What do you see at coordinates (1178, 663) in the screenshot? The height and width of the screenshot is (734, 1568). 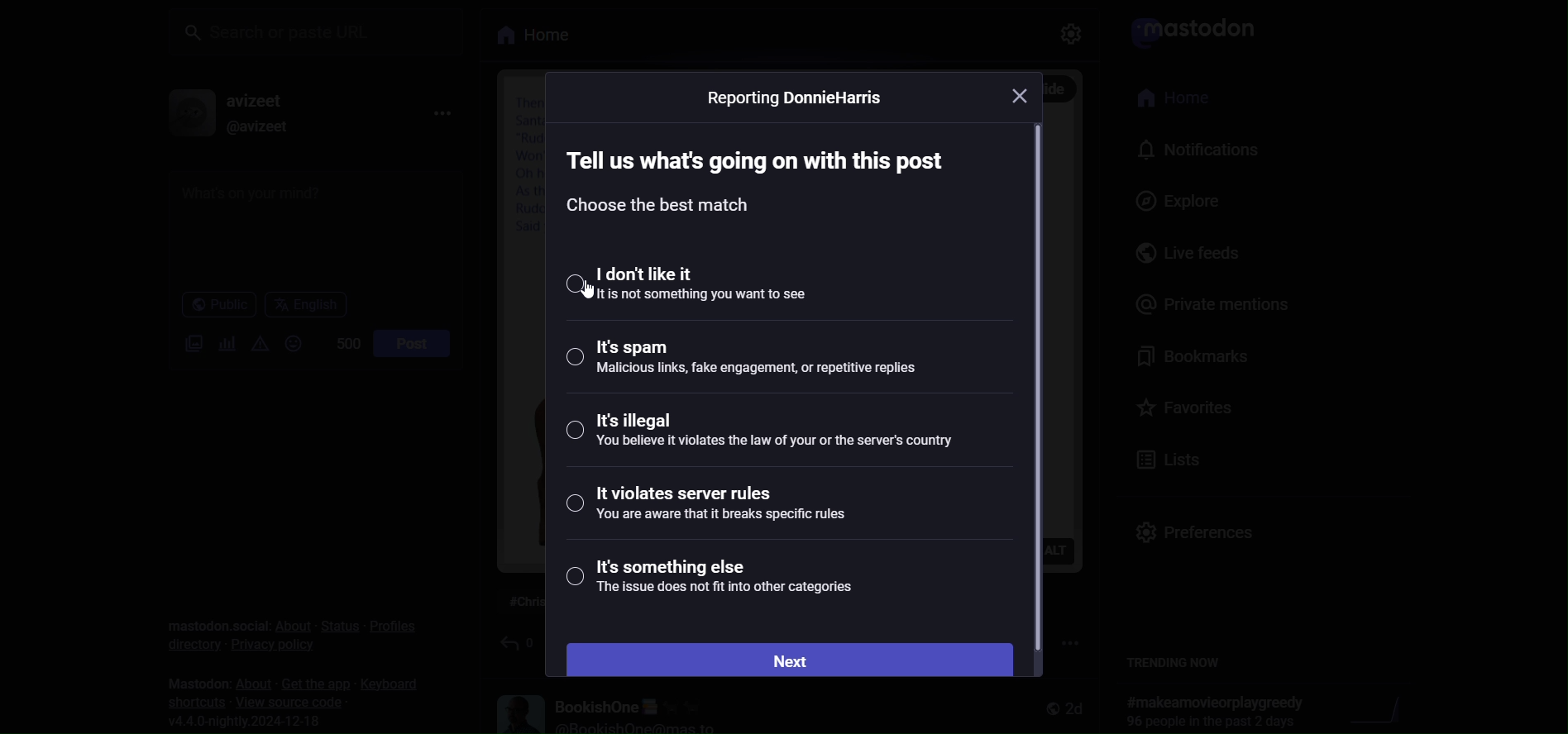 I see `trending now` at bounding box center [1178, 663].